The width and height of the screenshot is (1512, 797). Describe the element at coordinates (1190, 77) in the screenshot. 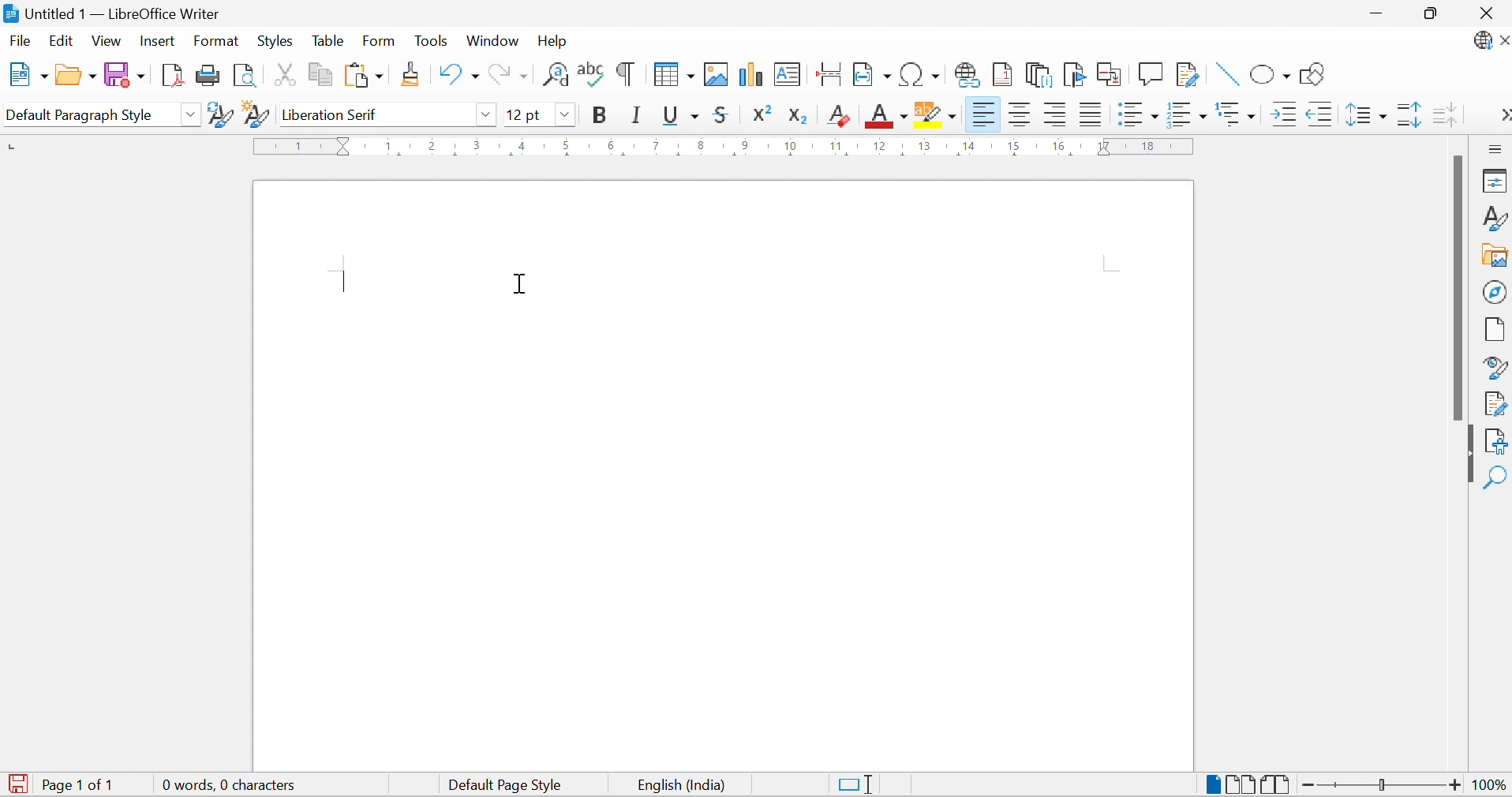

I see `Show Track Changes Functions` at that location.